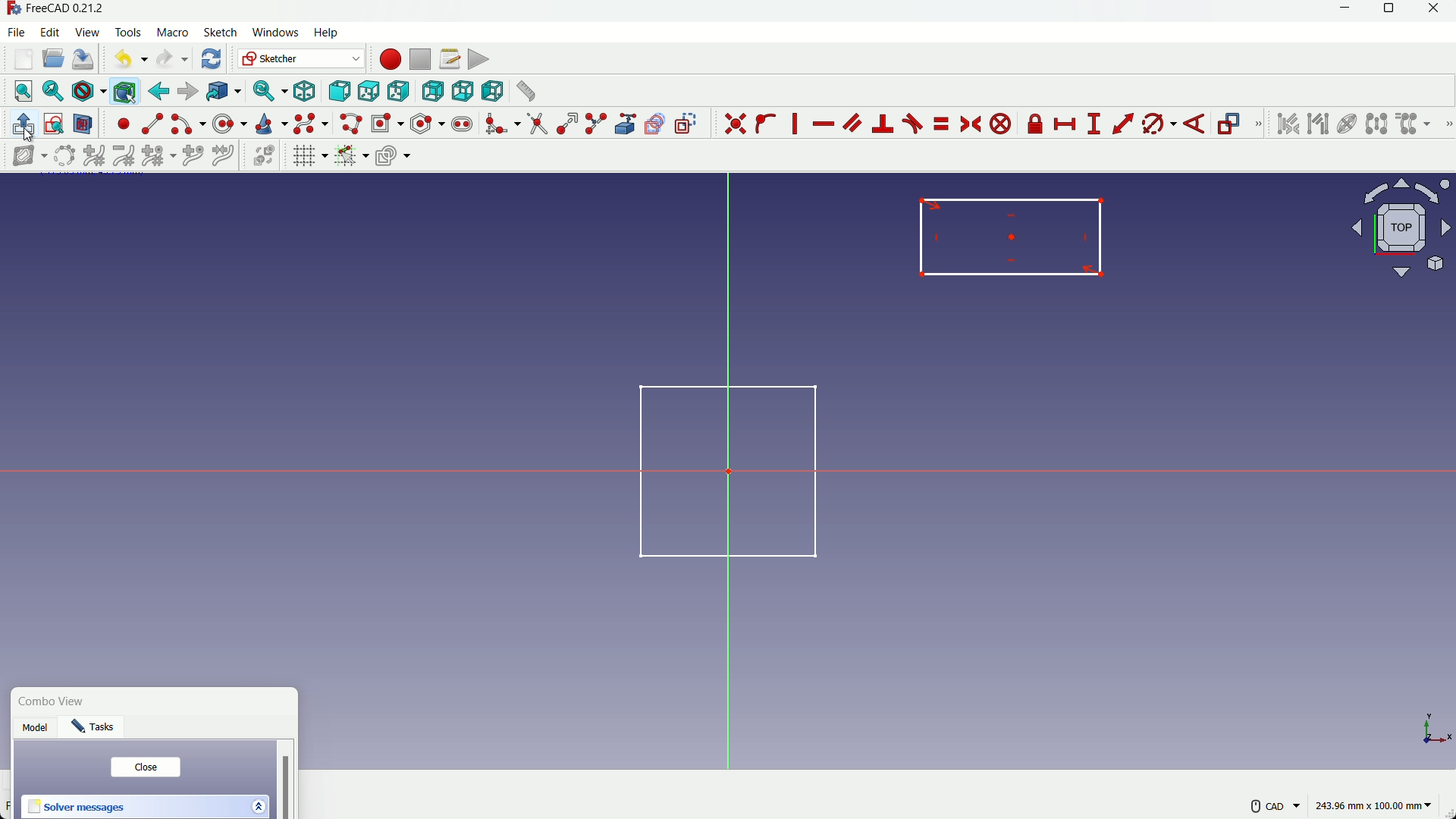  What do you see at coordinates (350, 123) in the screenshot?
I see `create polyline` at bounding box center [350, 123].